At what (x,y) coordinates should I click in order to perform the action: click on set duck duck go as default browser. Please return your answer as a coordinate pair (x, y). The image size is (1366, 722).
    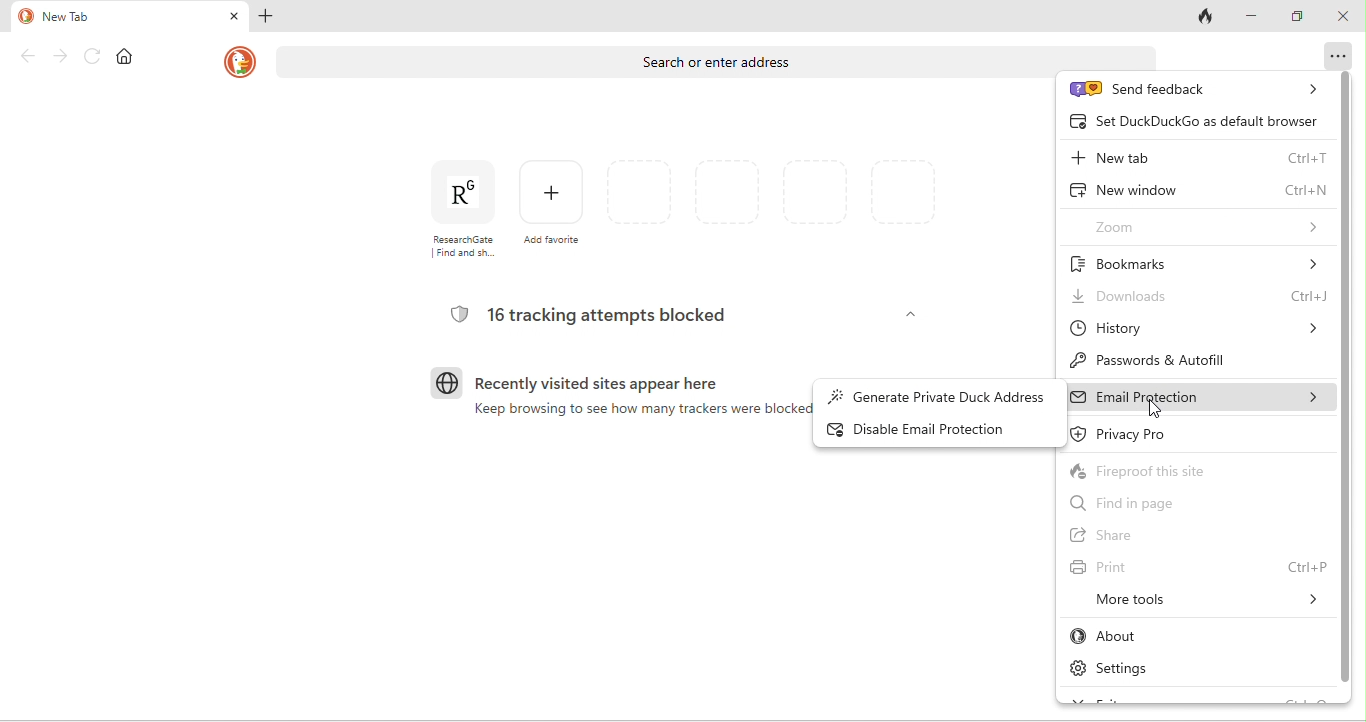
    Looking at the image, I should click on (1197, 123).